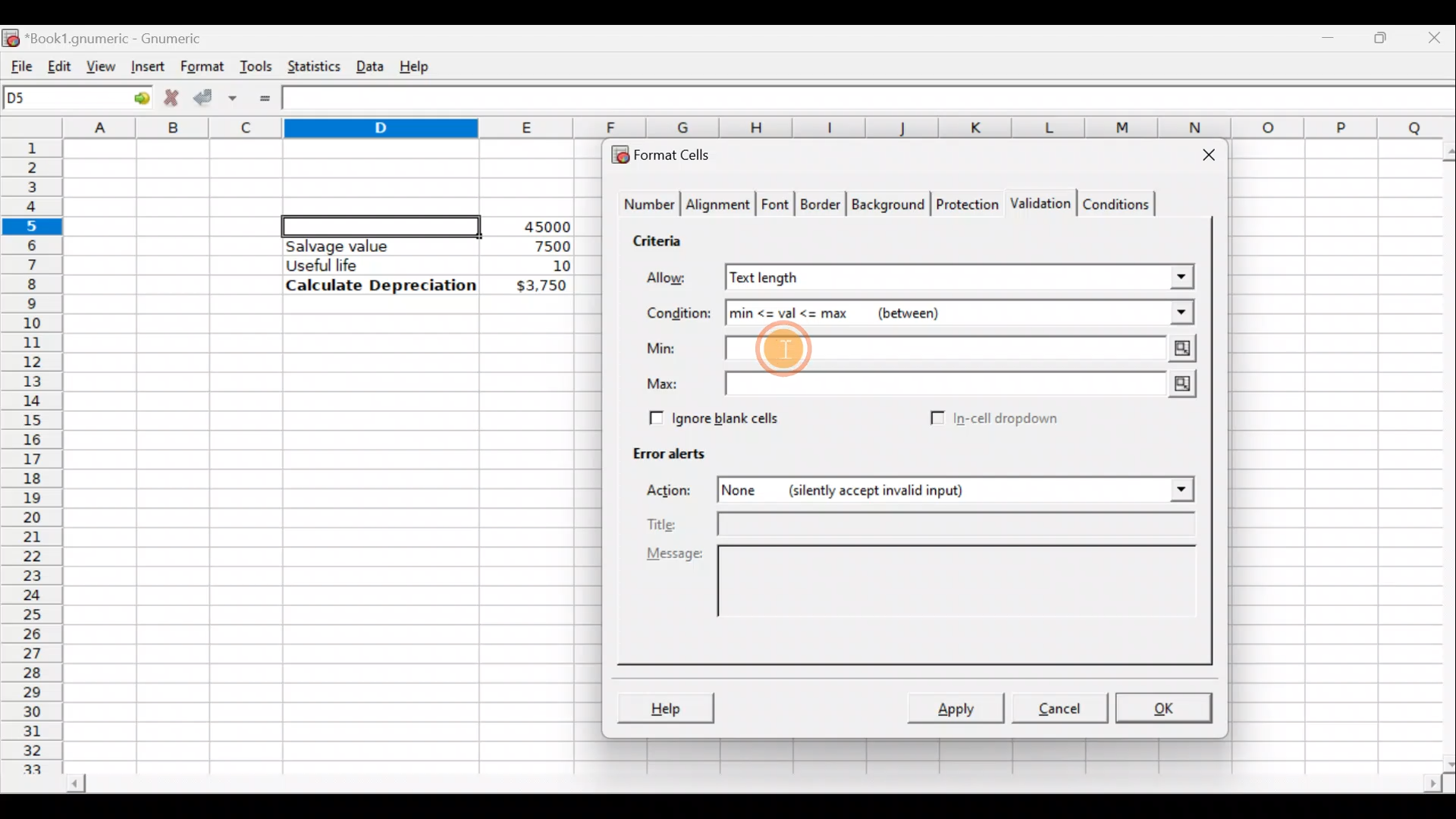 The image size is (1456, 819). What do you see at coordinates (56, 64) in the screenshot?
I see `Edit` at bounding box center [56, 64].